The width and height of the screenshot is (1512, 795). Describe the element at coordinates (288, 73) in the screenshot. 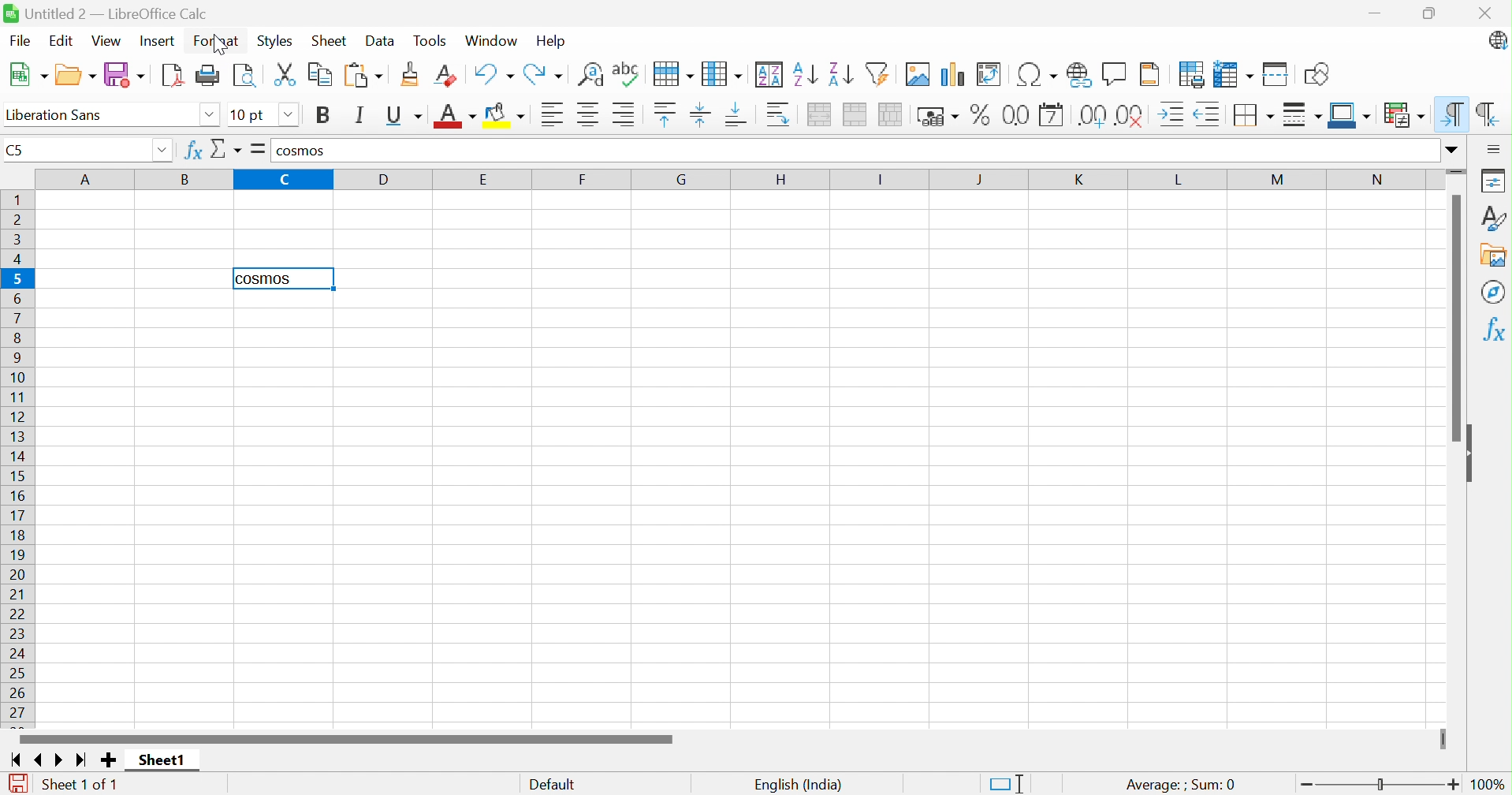

I see `Cut` at that location.